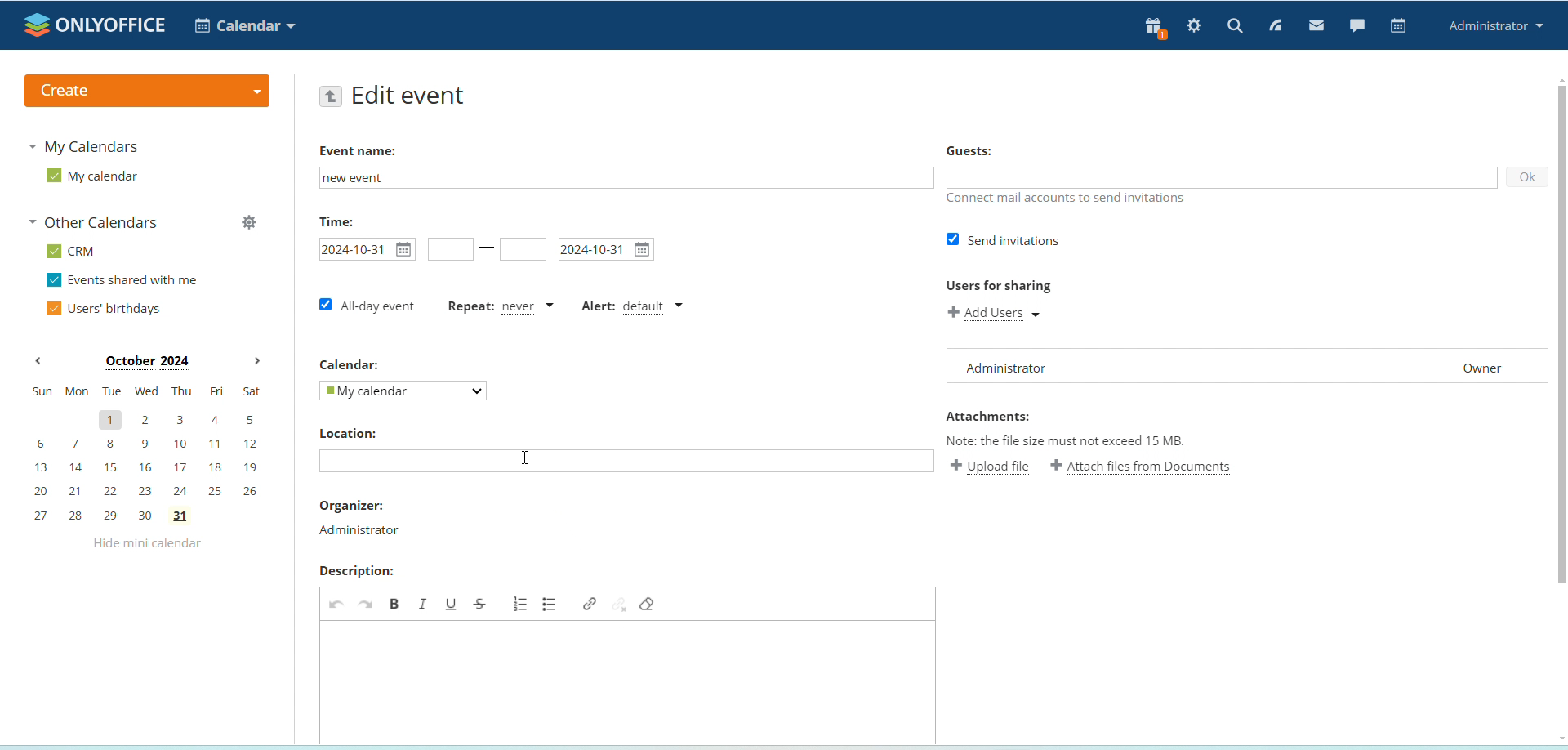 This screenshot has width=1568, height=750. Describe the element at coordinates (624, 177) in the screenshot. I see `edit event name` at that location.